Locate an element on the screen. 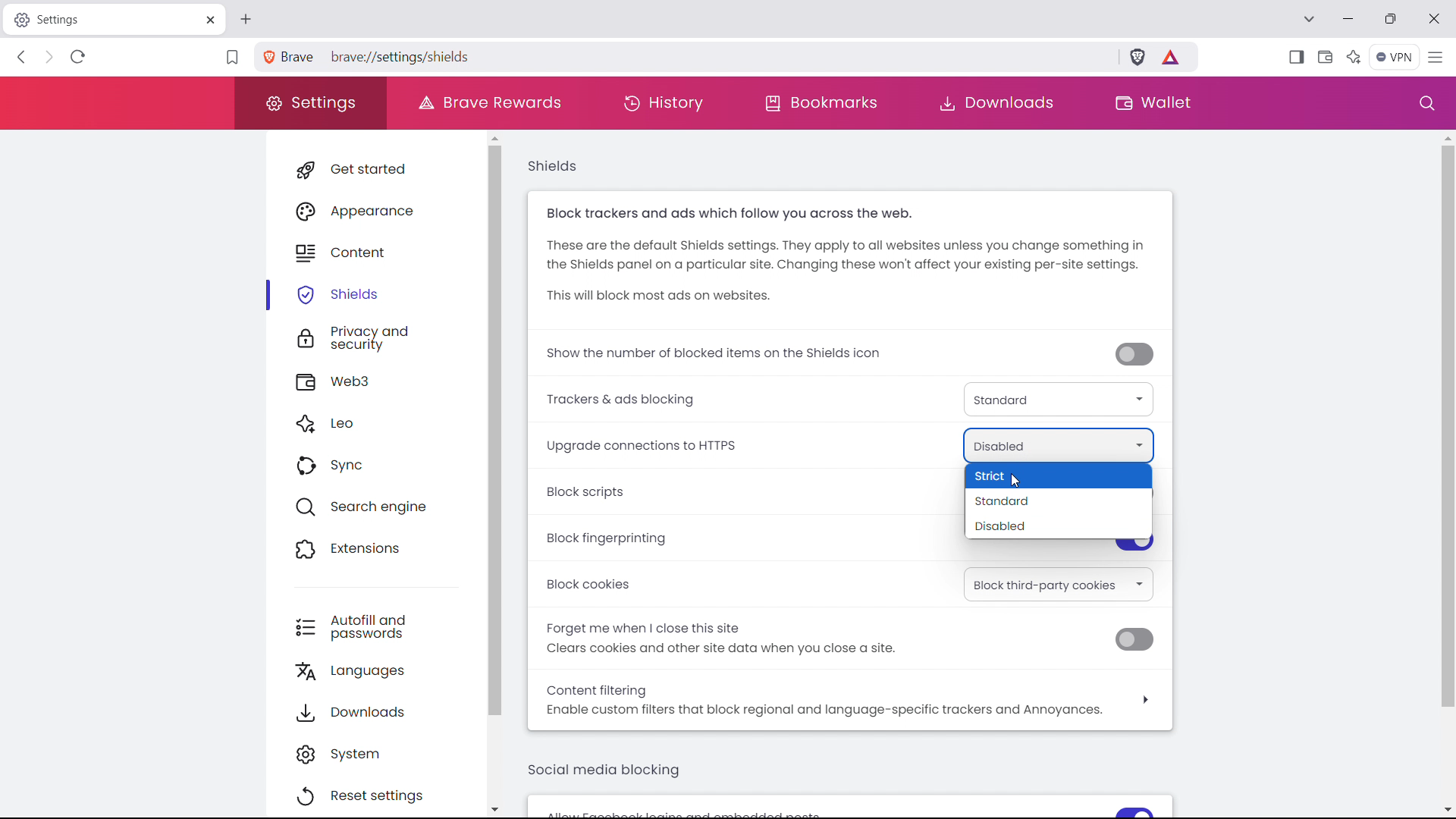 The width and height of the screenshot is (1456, 819). toggle off is located at coordinates (1134, 640).